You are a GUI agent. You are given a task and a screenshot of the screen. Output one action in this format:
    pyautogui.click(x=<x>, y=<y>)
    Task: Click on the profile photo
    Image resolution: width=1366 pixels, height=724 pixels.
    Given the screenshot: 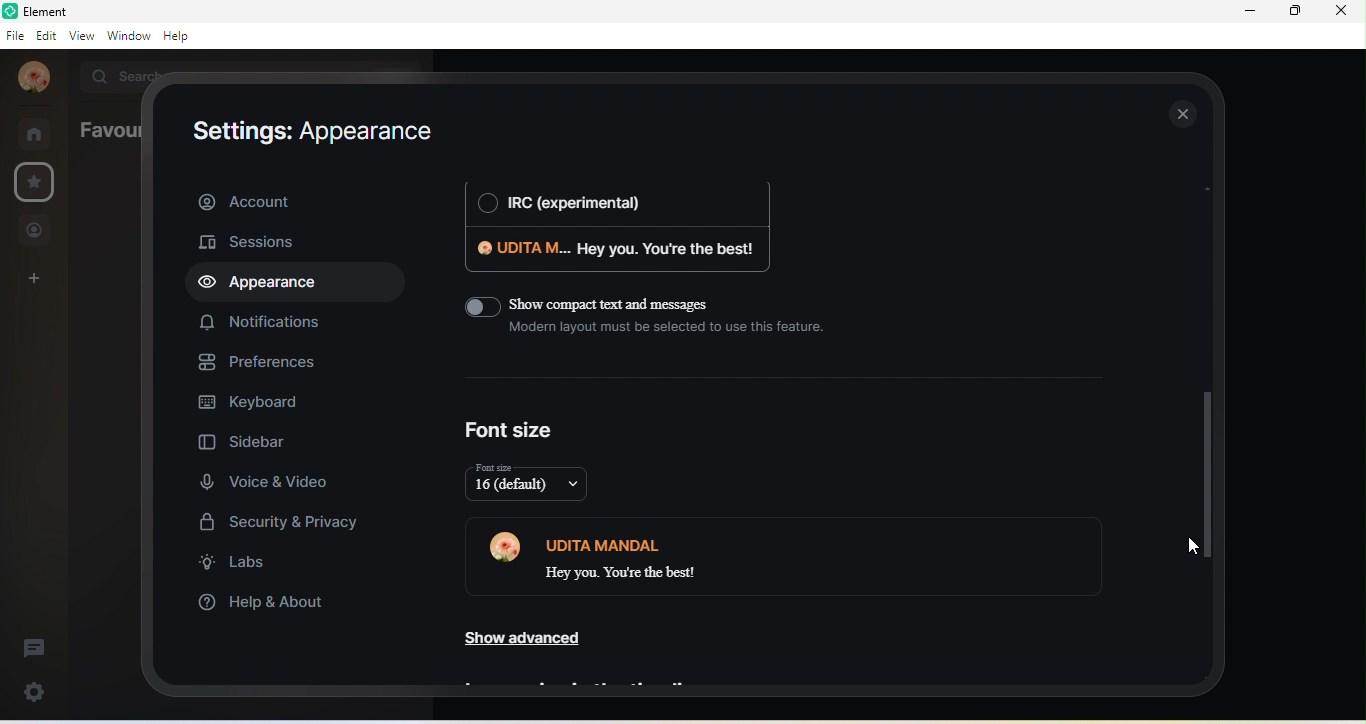 What is the action you would take?
    pyautogui.click(x=508, y=551)
    